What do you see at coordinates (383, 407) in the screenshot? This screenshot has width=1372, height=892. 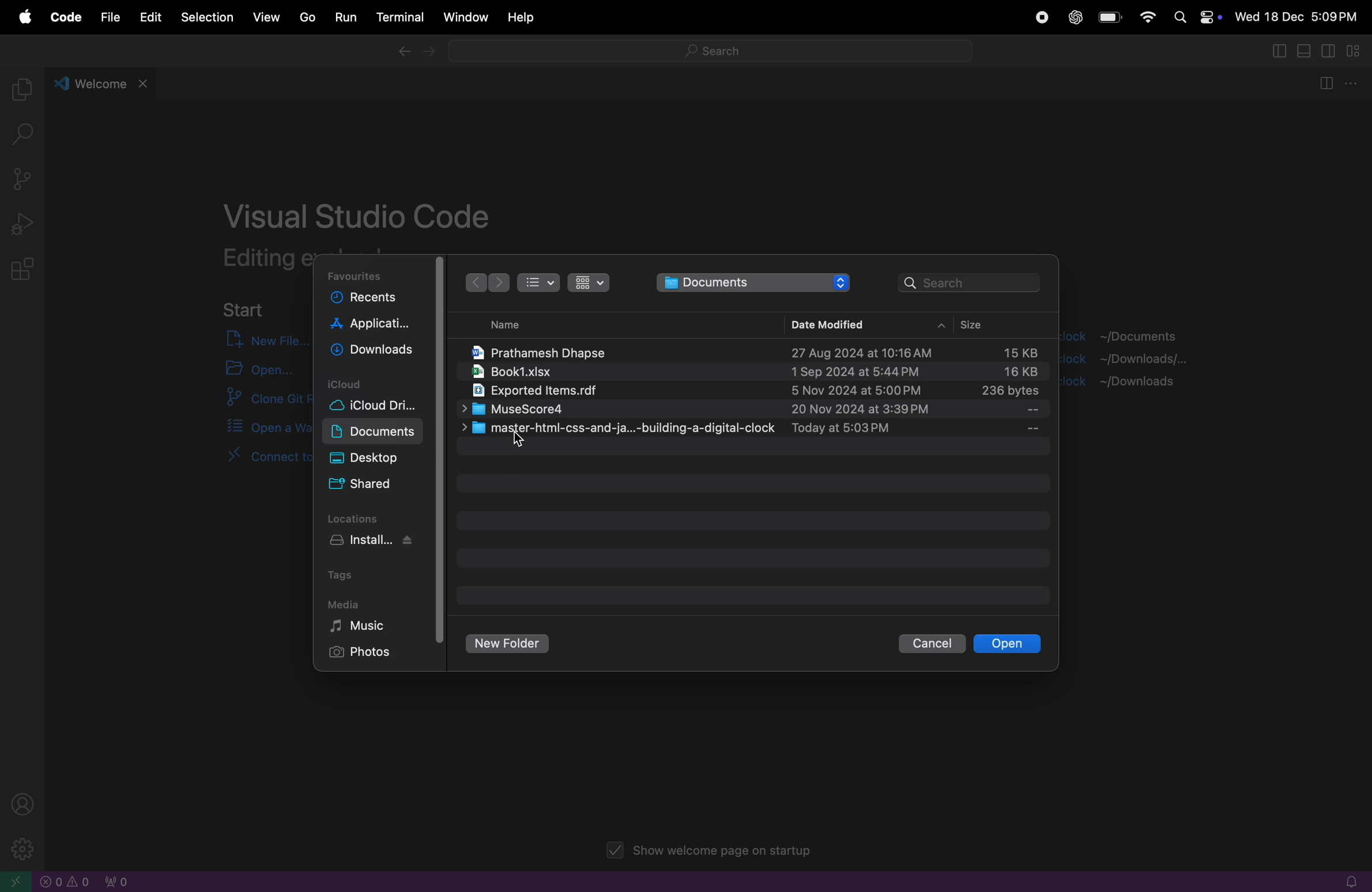 I see `i cloud drive` at bounding box center [383, 407].